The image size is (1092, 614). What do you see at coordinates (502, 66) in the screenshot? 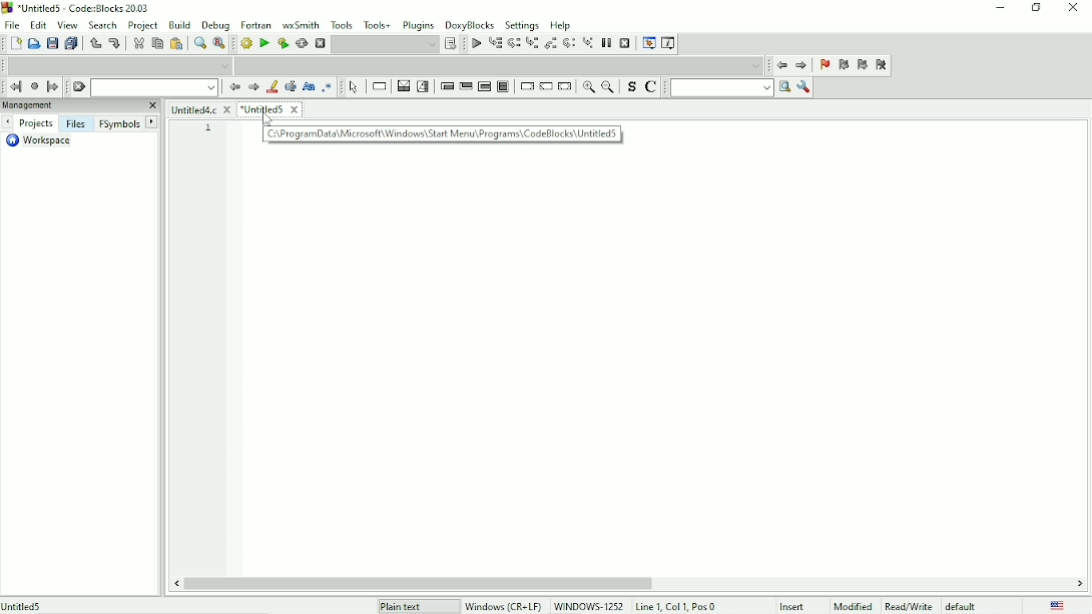
I see `Drop down` at bounding box center [502, 66].